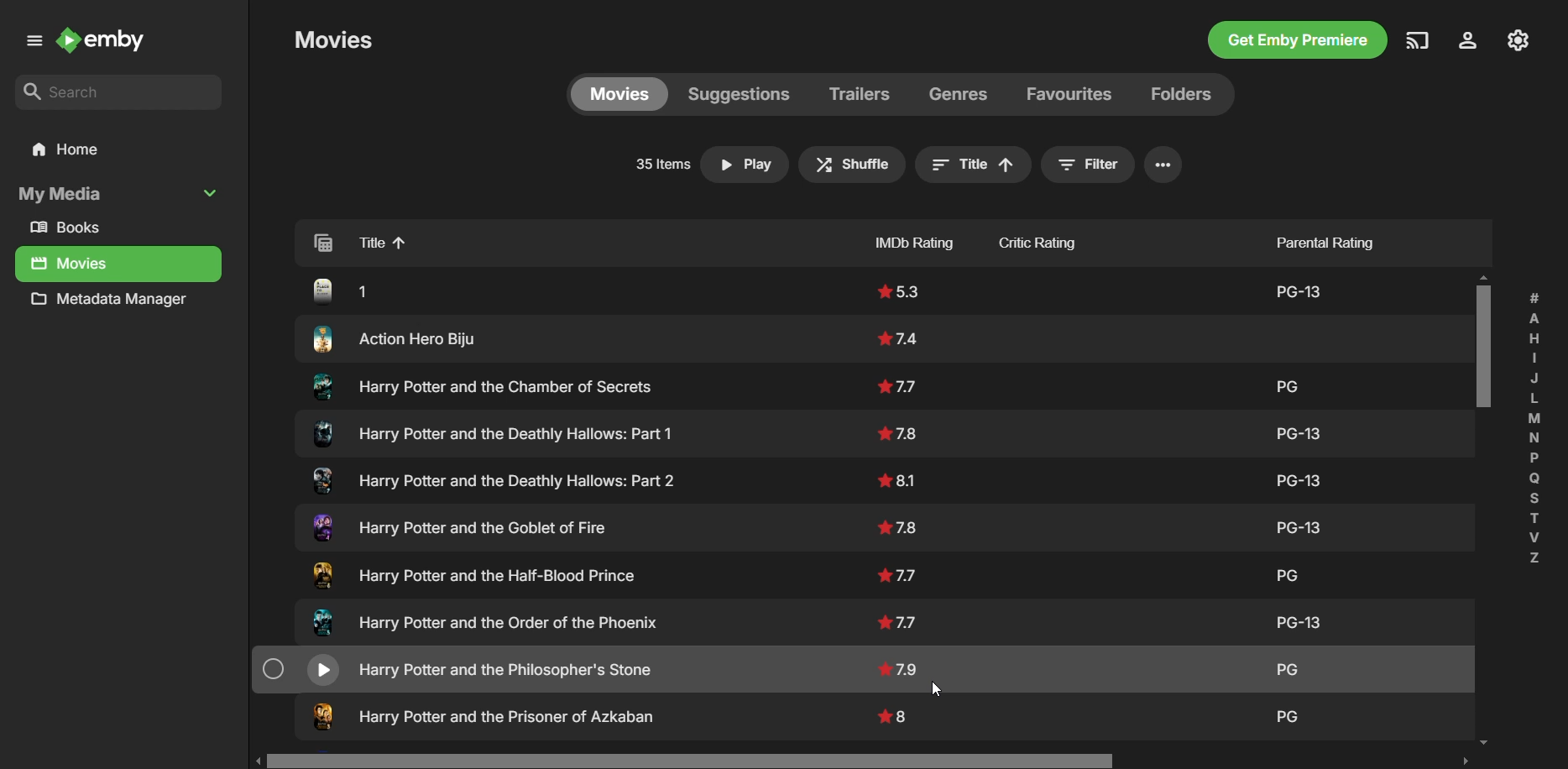 The height and width of the screenshot is (769, 1568). Describe the element at coordinates (901, 332) in the screenshot. I see `` at that location.